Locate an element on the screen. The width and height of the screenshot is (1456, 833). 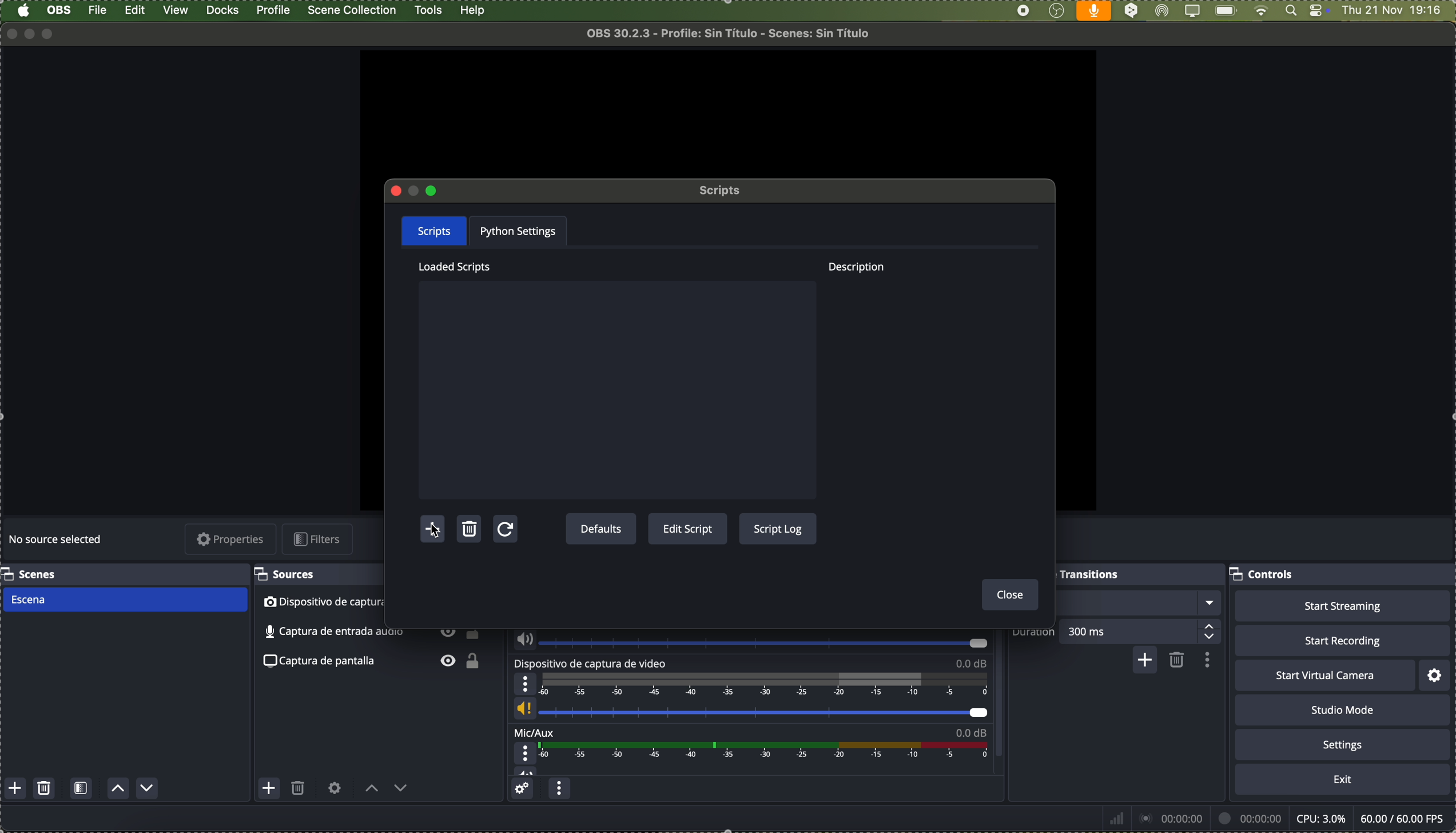
transition properties is located at coordinates (1206, 660).